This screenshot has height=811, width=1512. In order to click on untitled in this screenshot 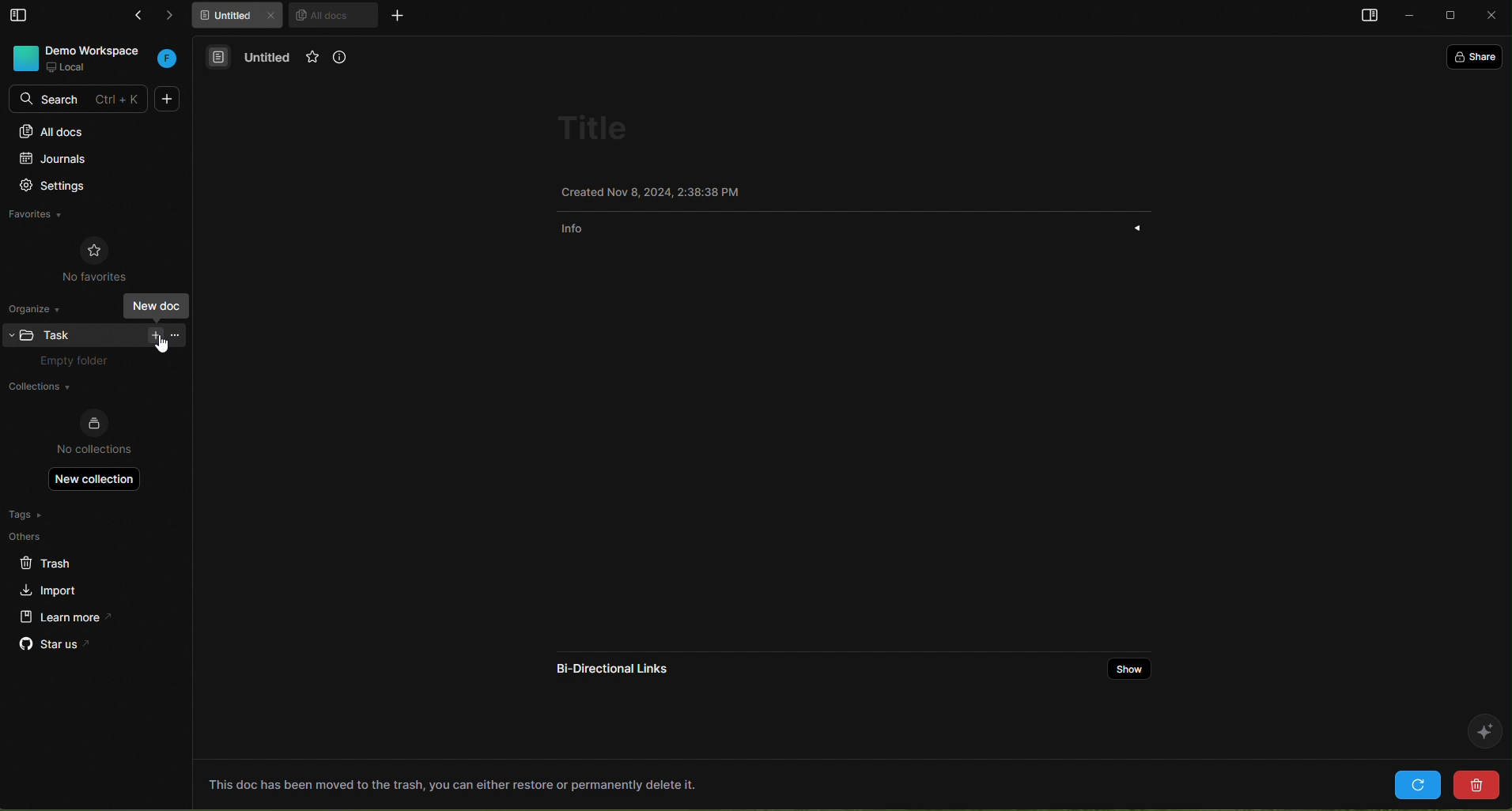, I will do `click(270, 58)`.